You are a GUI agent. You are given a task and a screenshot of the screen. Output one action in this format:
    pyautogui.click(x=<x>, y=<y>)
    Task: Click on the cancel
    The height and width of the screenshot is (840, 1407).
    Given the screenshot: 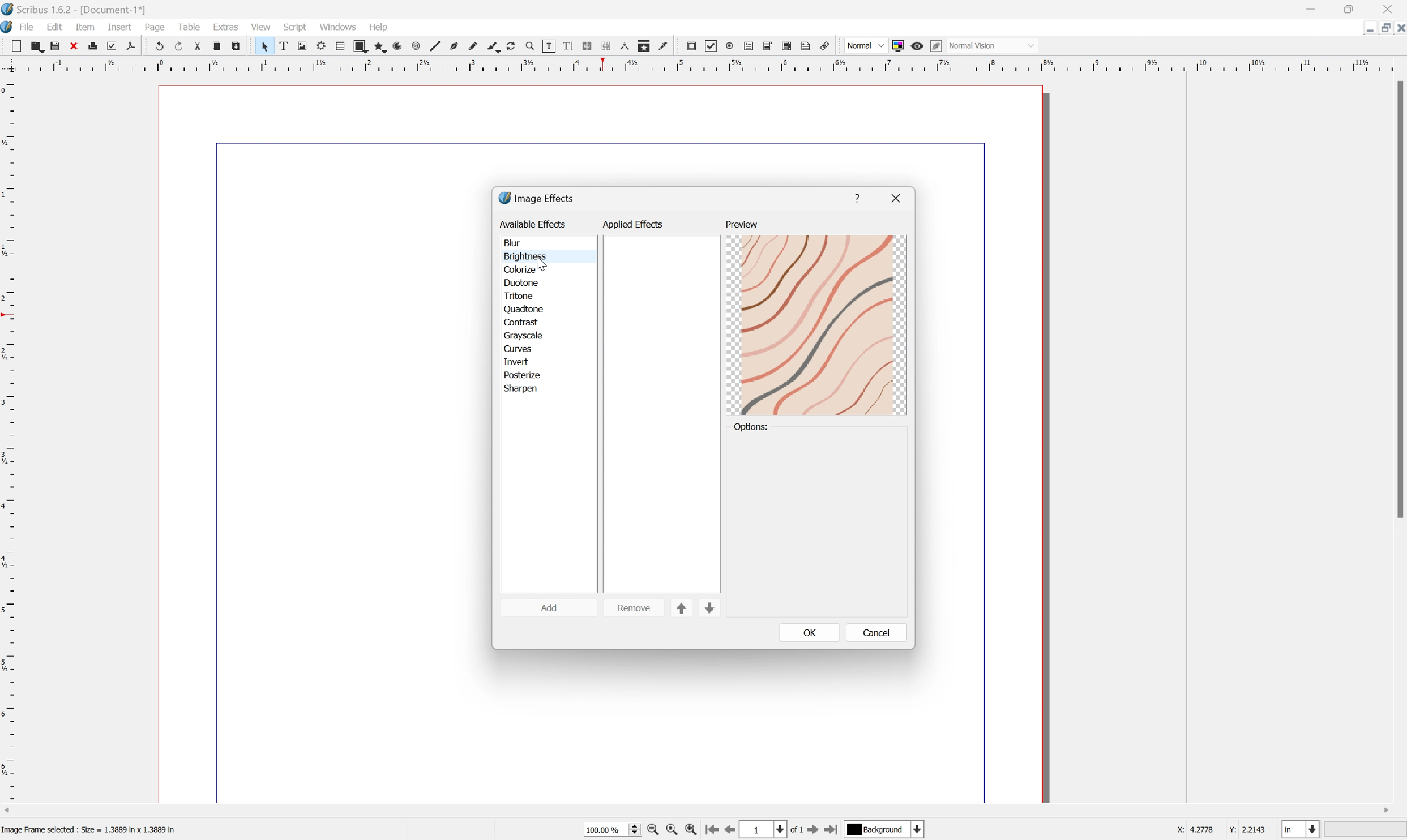 What is the action you would take?
    pyautogui.click(x=875, y=632)
    